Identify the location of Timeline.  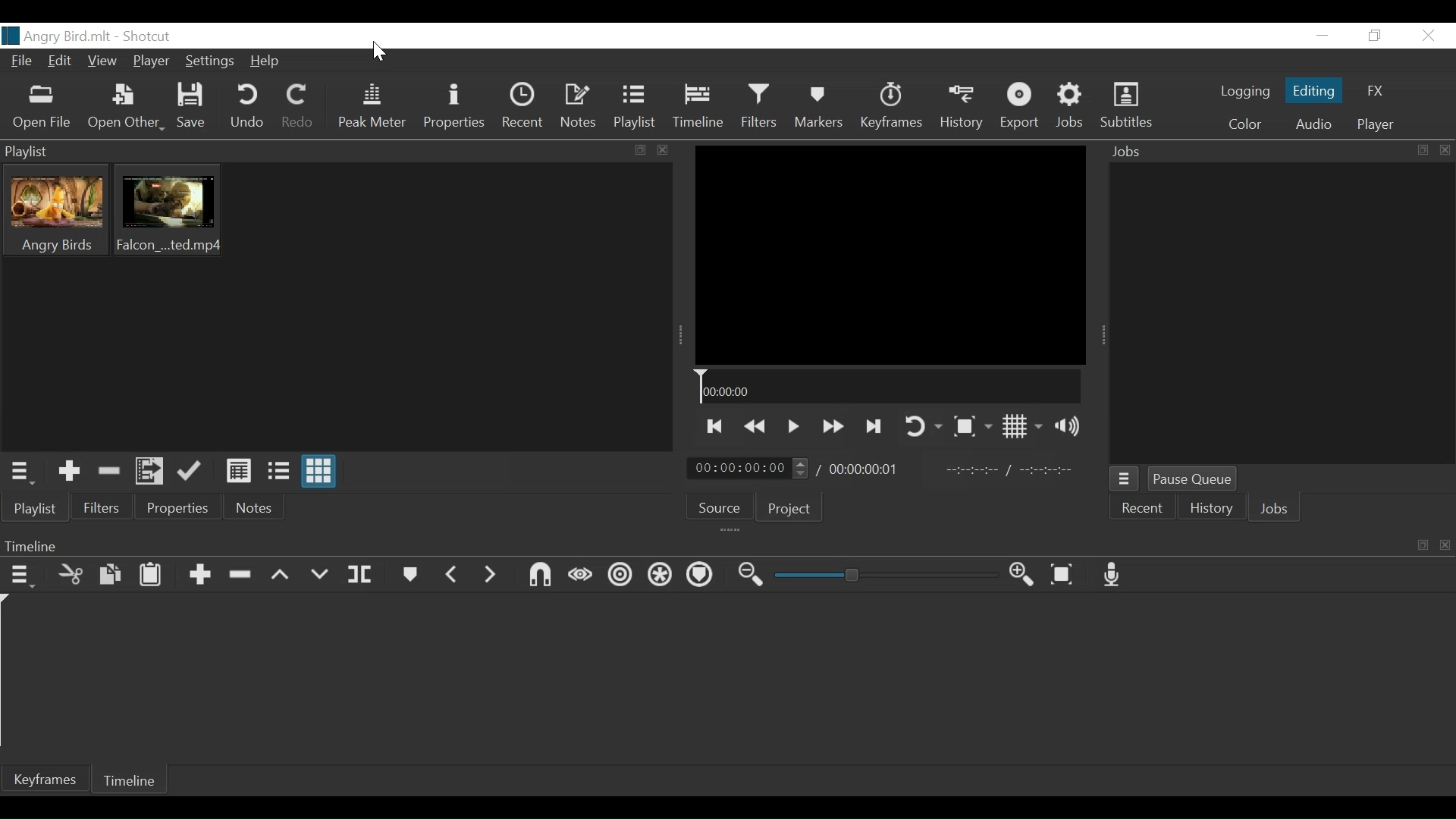
(136, 780).